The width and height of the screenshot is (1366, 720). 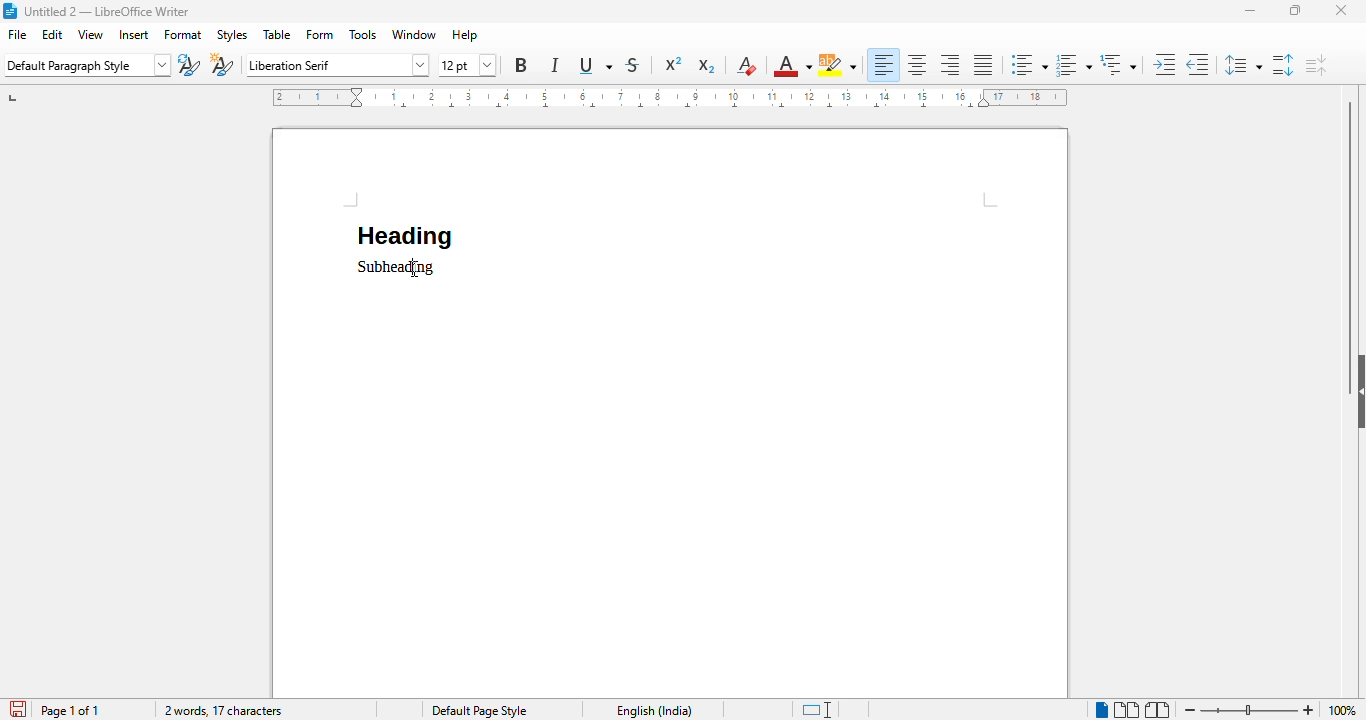 What do you see at coordinates (363, 35) in the screenshot?
I see `tools` at bounding box center [363, 35].